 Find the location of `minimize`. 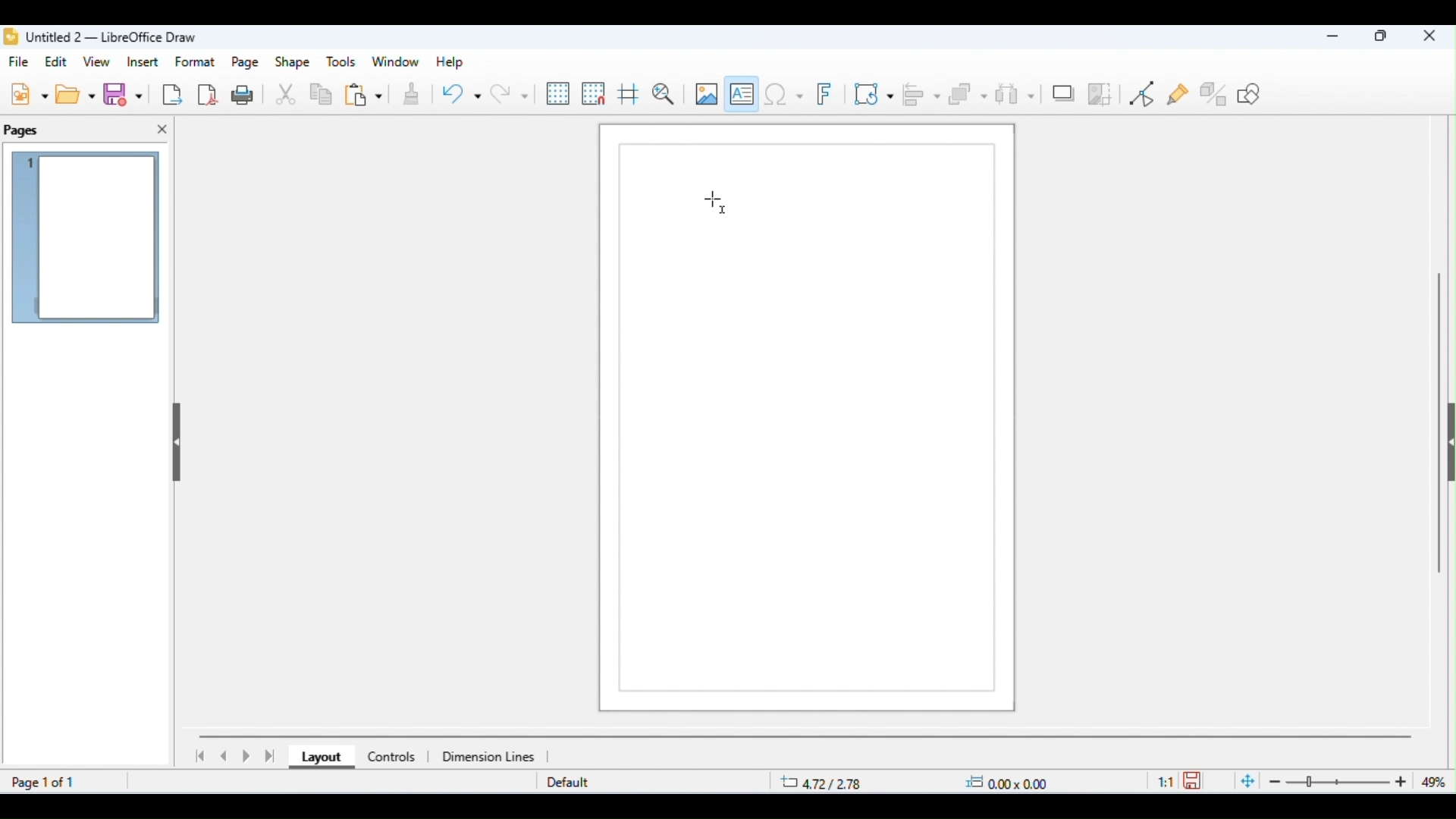

minimize is located at coordinates (1328, 39).